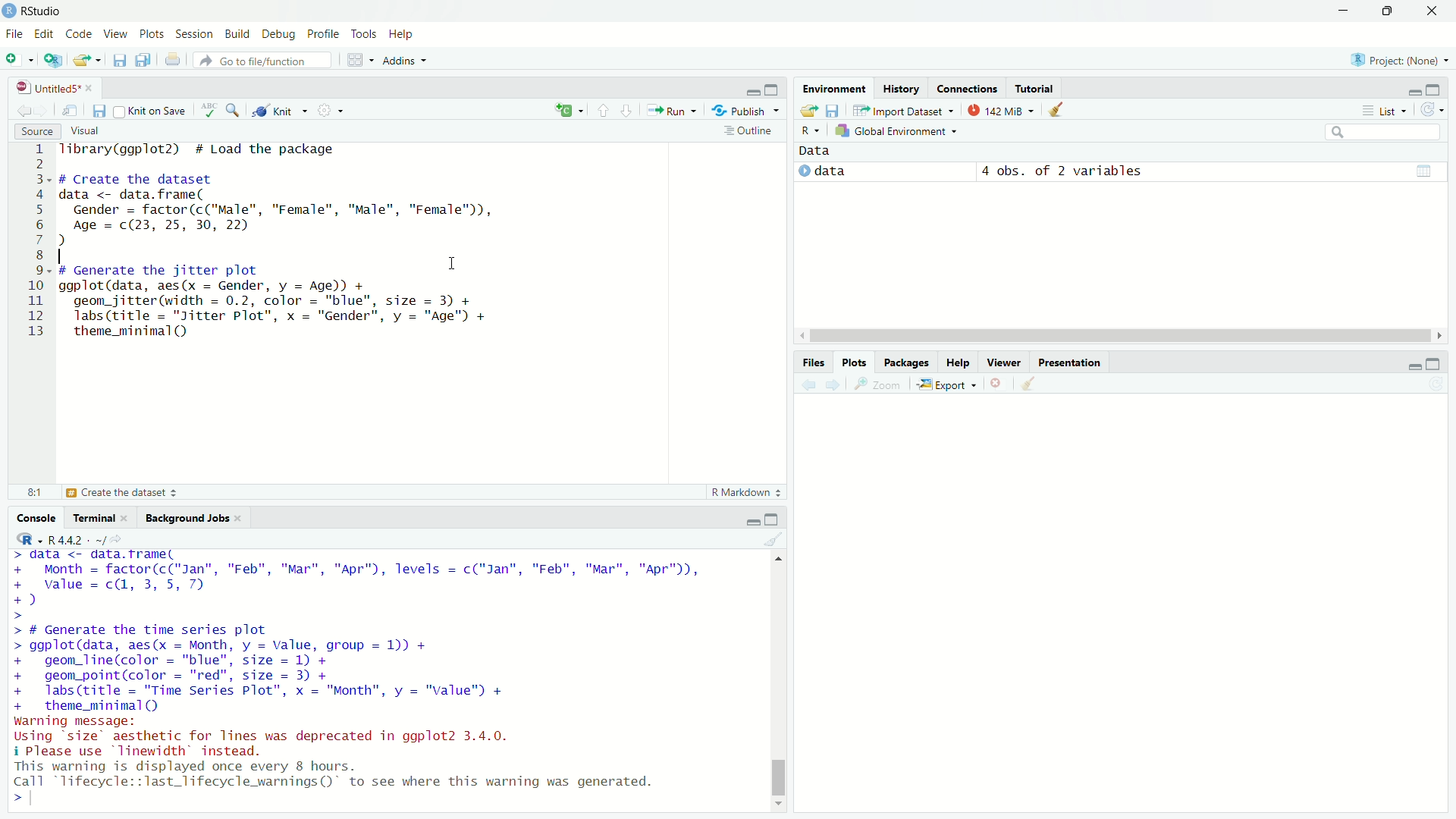 This screenshot has width=1456, height=819. Describe the element at coordinates (959, 364) in the screenshot. I see `help` at that location.